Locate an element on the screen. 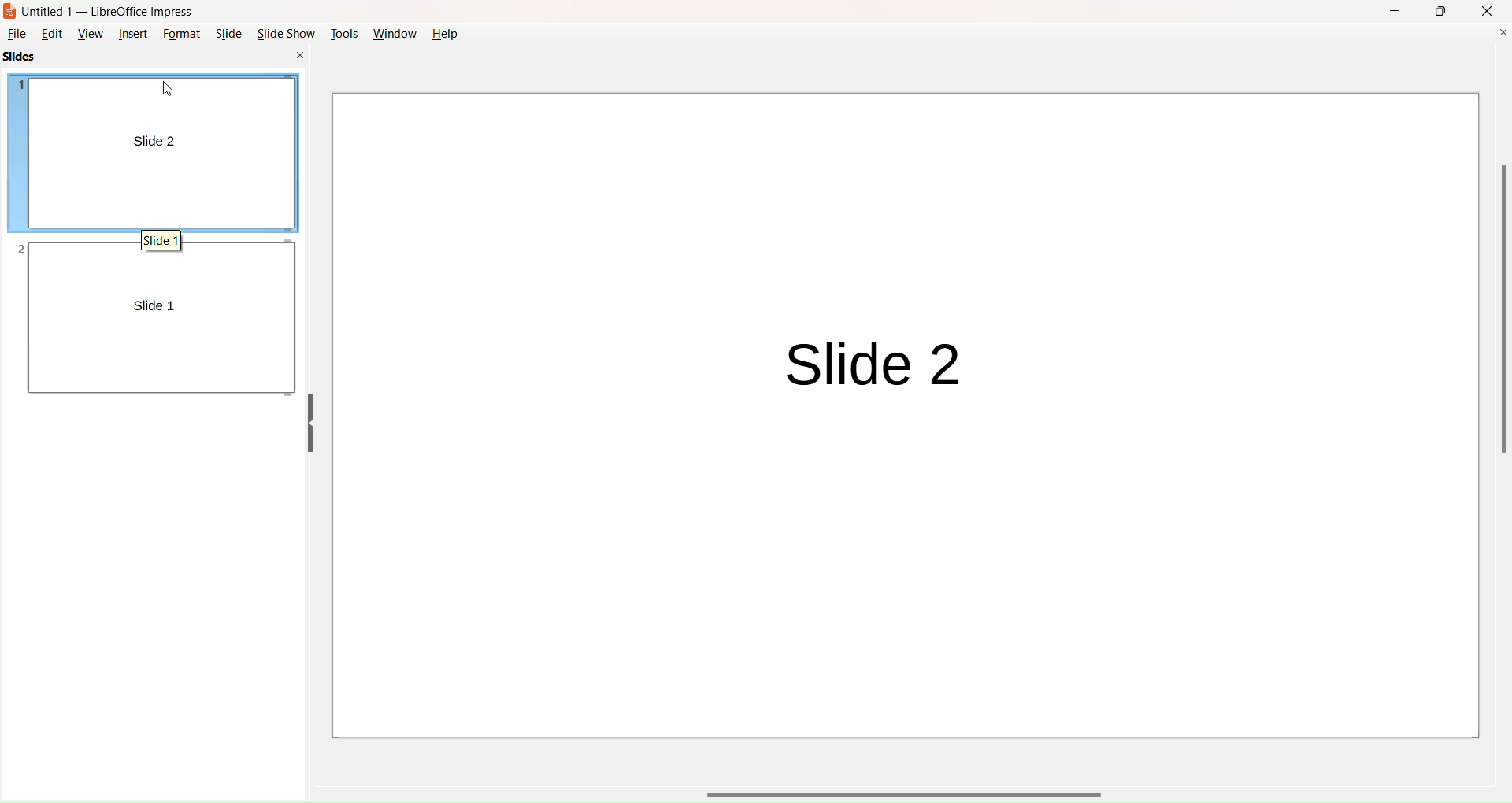 The image size is (1512, 803). help is located at coordinates (447, 33).